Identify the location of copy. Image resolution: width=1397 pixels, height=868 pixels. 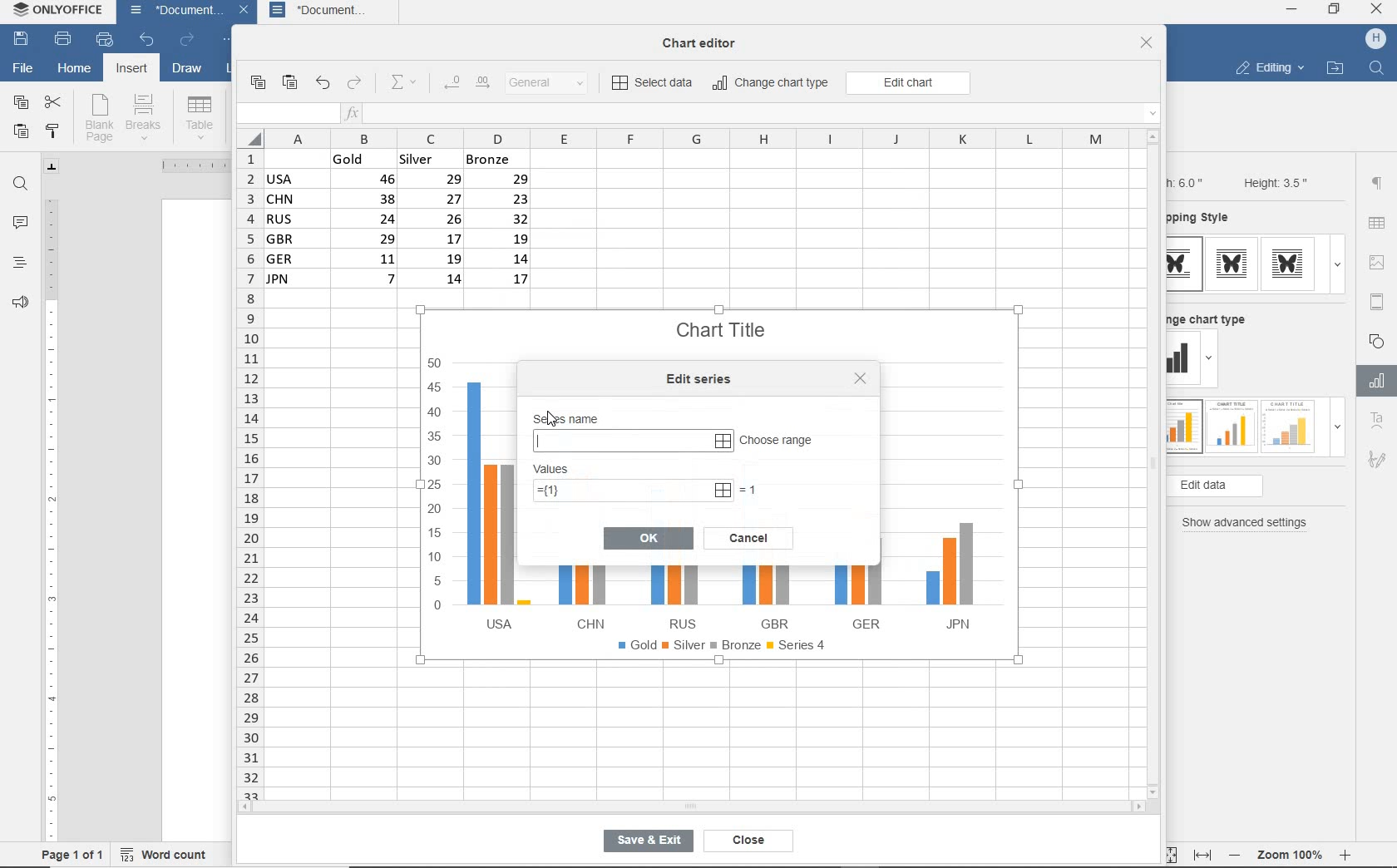
(257, 83).